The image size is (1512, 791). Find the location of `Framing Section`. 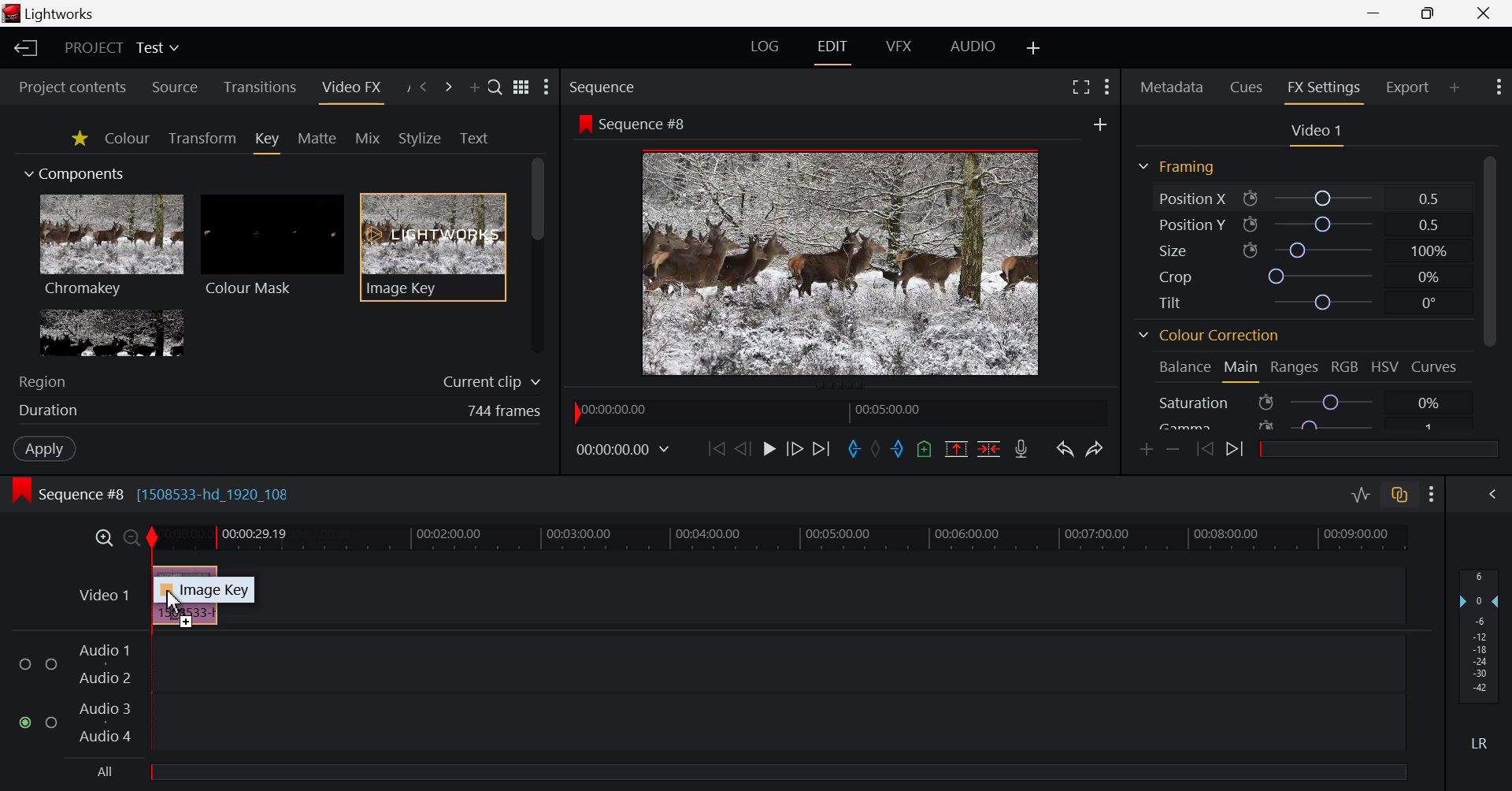

Framing Section is located at coordinates (1180, 171).